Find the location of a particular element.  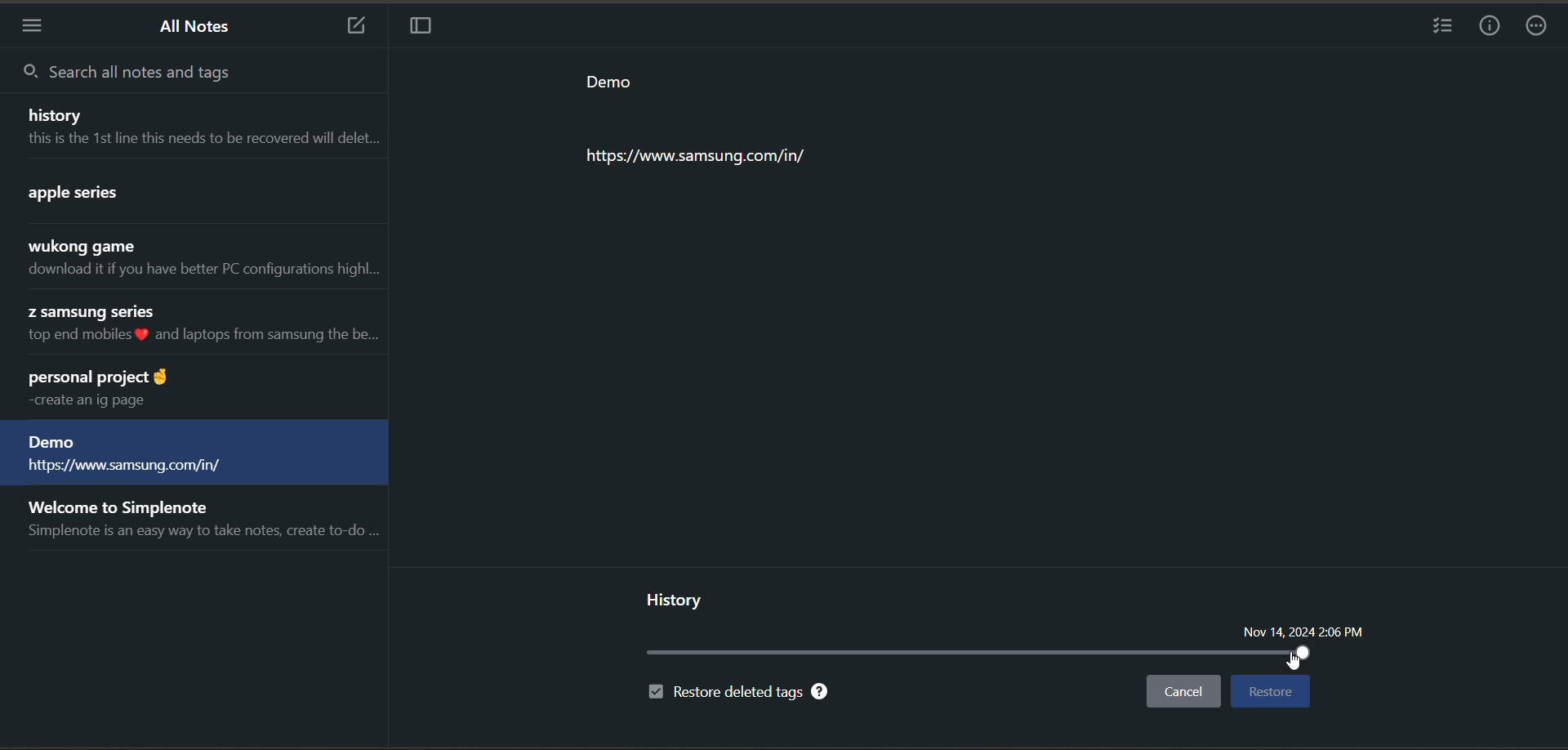

info is located at coordinates (1493, 25).